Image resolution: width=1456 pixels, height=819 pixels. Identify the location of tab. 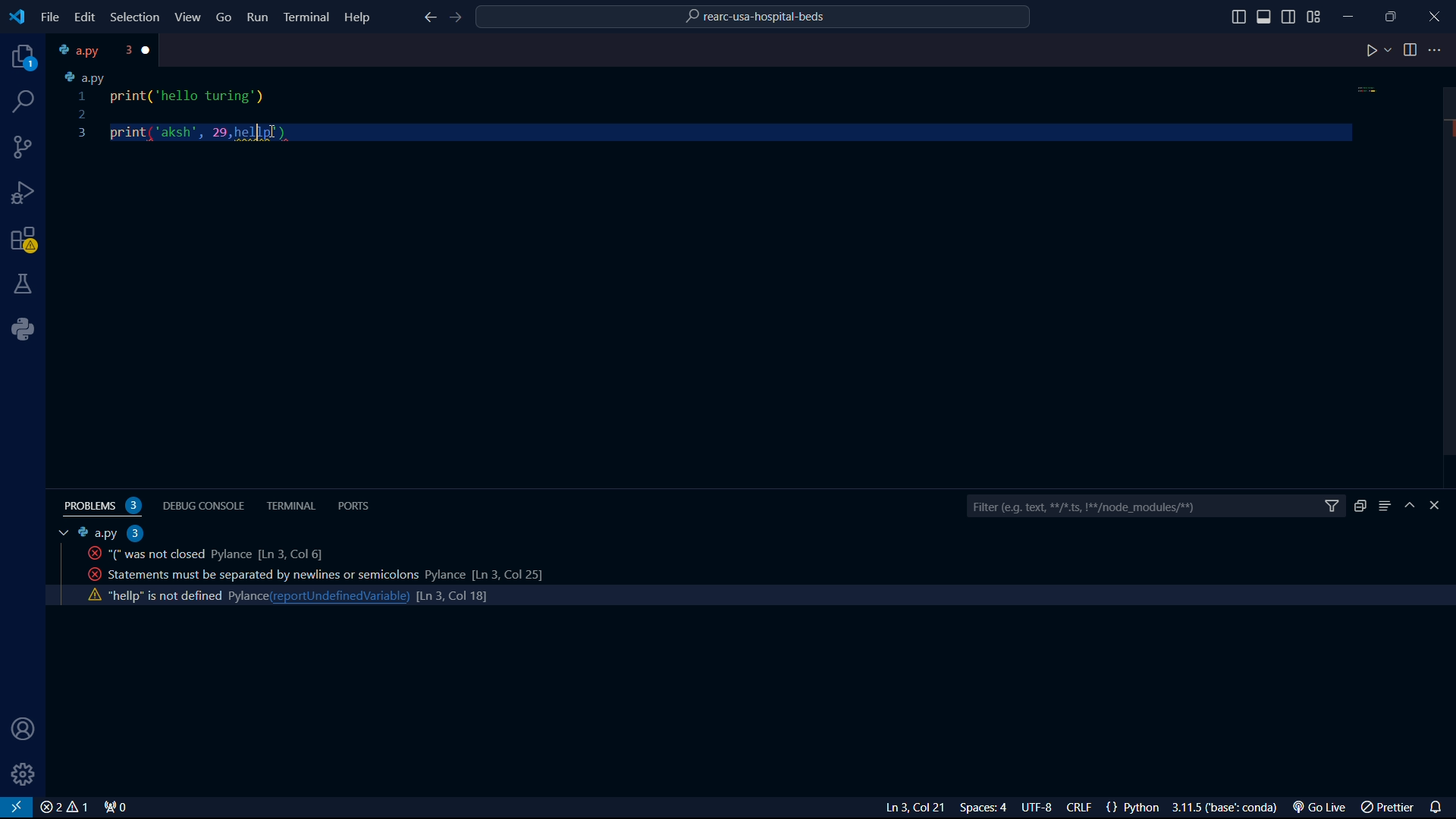
(59, 533).